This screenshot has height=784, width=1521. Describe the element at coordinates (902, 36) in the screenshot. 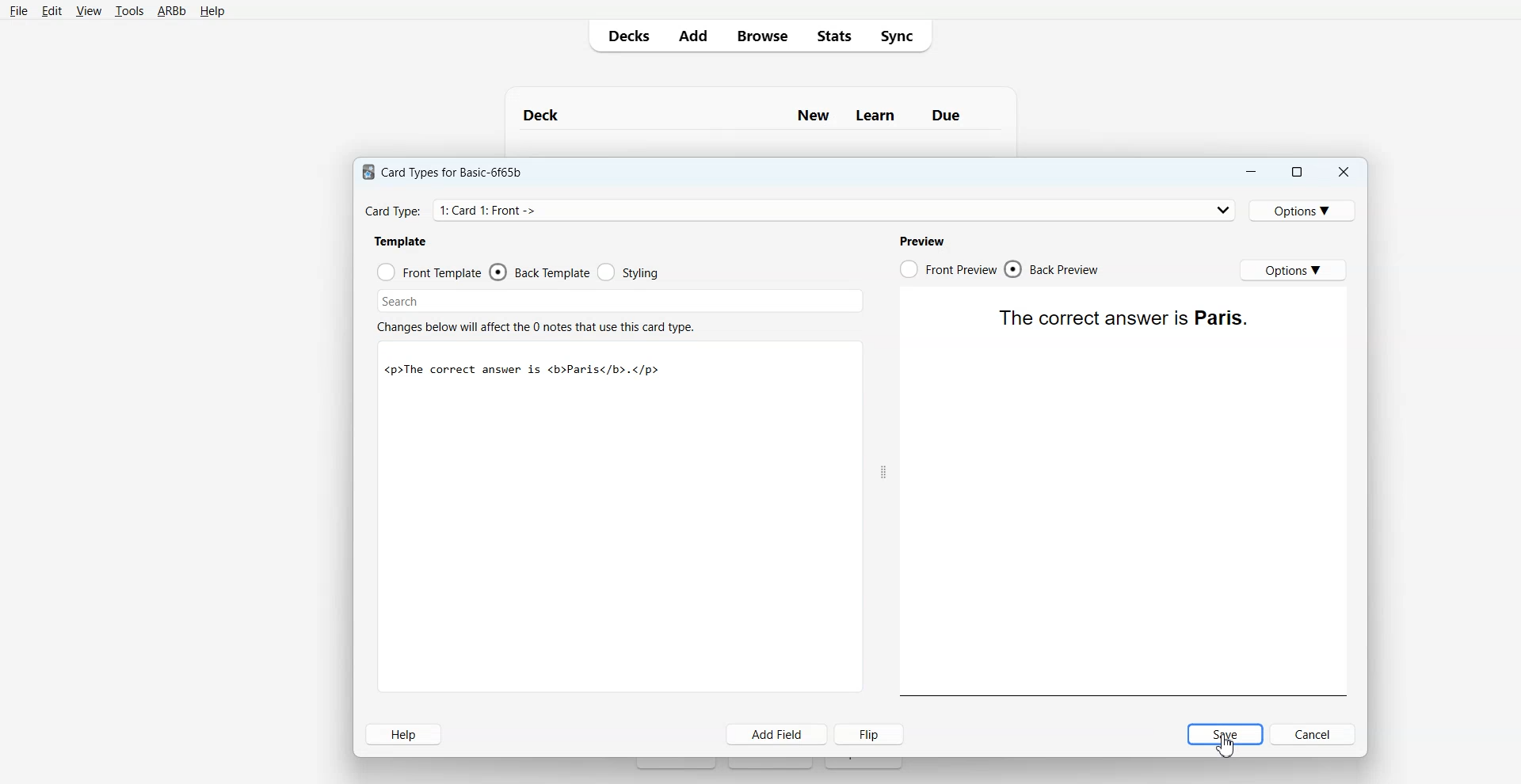

I see `Sync` at that location.